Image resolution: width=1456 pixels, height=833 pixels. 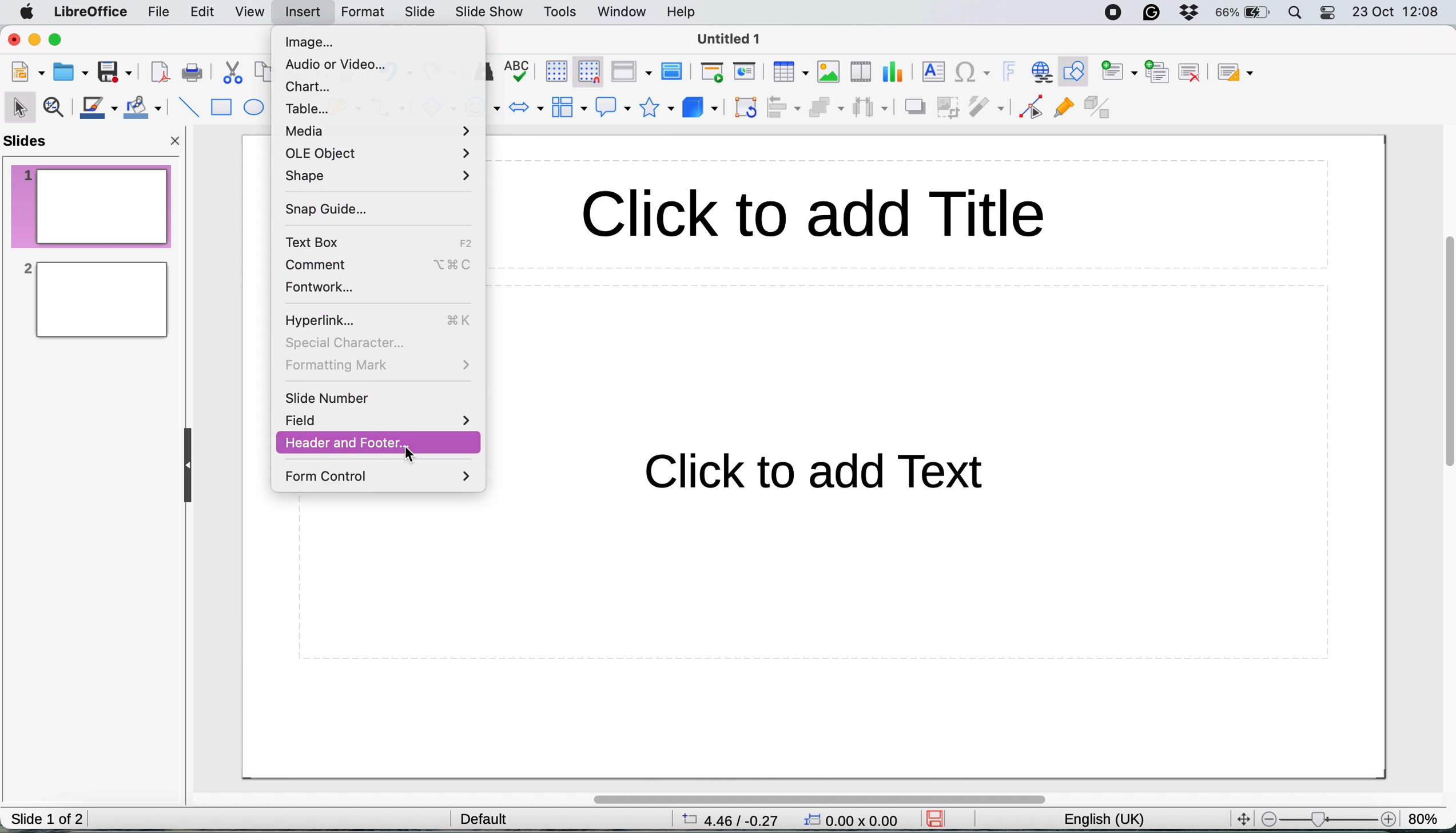 I want to click on new slide, so click(x=1119, y=73).